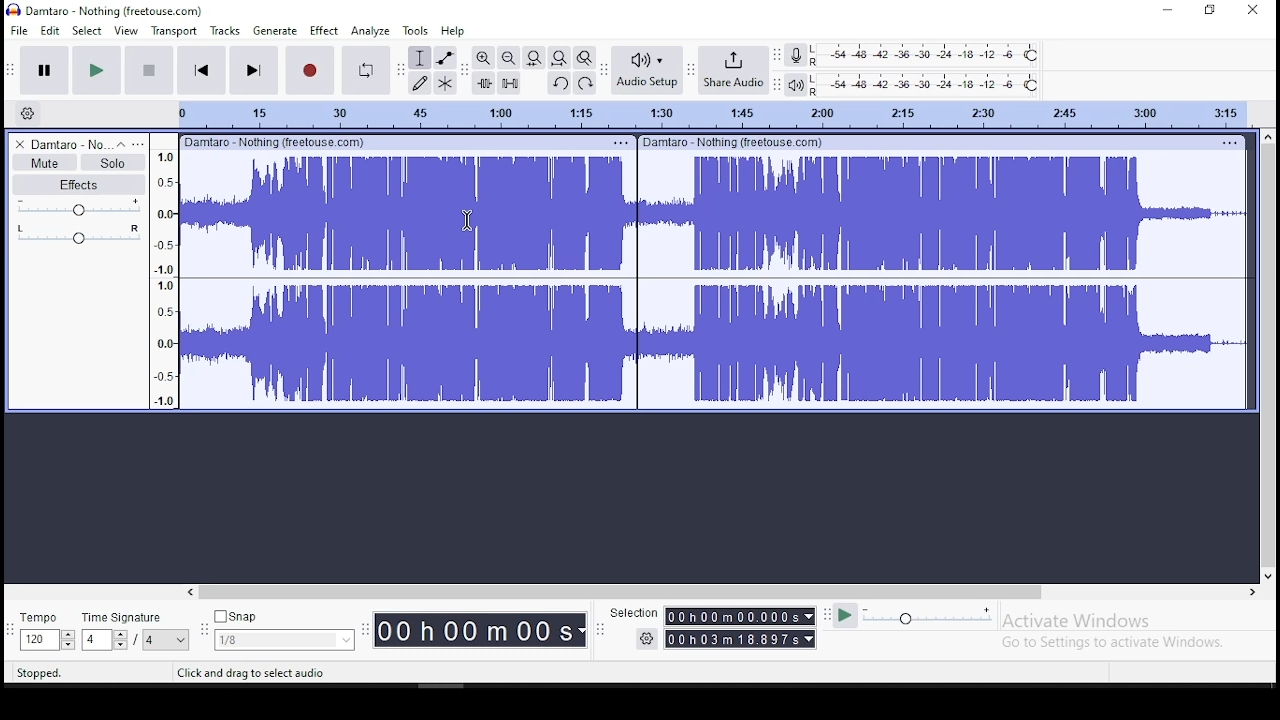 The image size is (1280, 720). What do you see at coordinates (509, 57) in the screenshot?
I see `zoom out` at bounding box center [509, 57].